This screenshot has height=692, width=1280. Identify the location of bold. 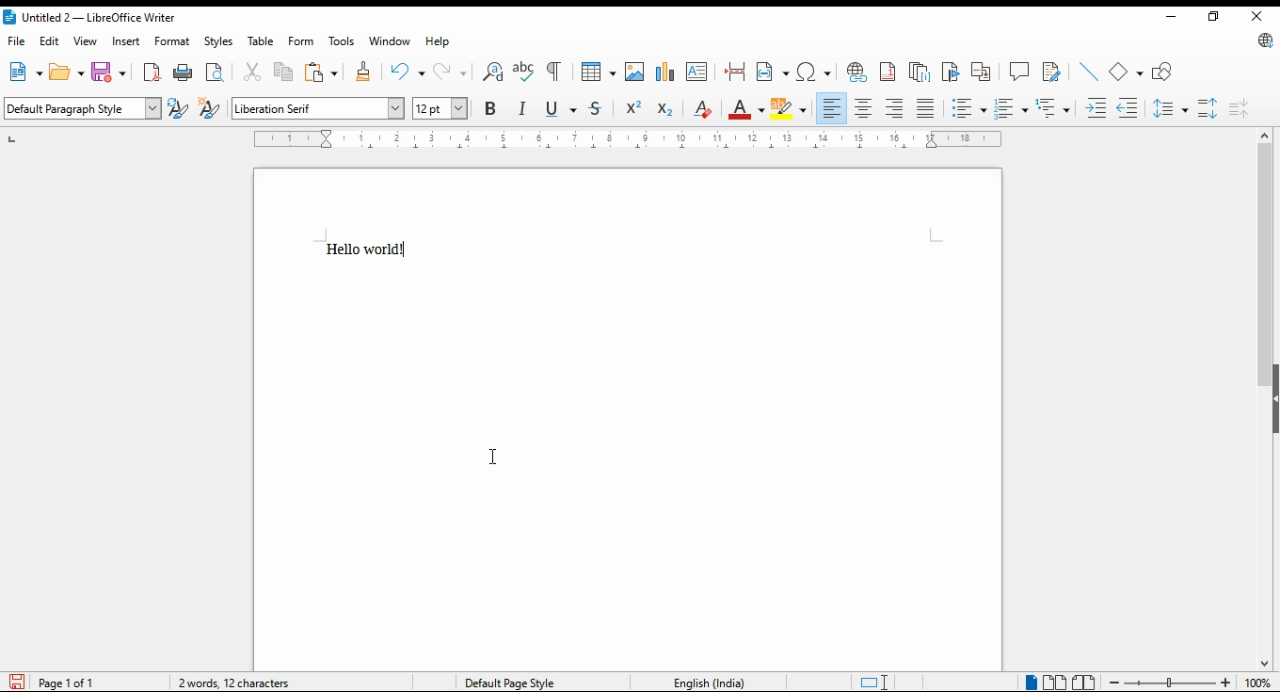
(491, 109).